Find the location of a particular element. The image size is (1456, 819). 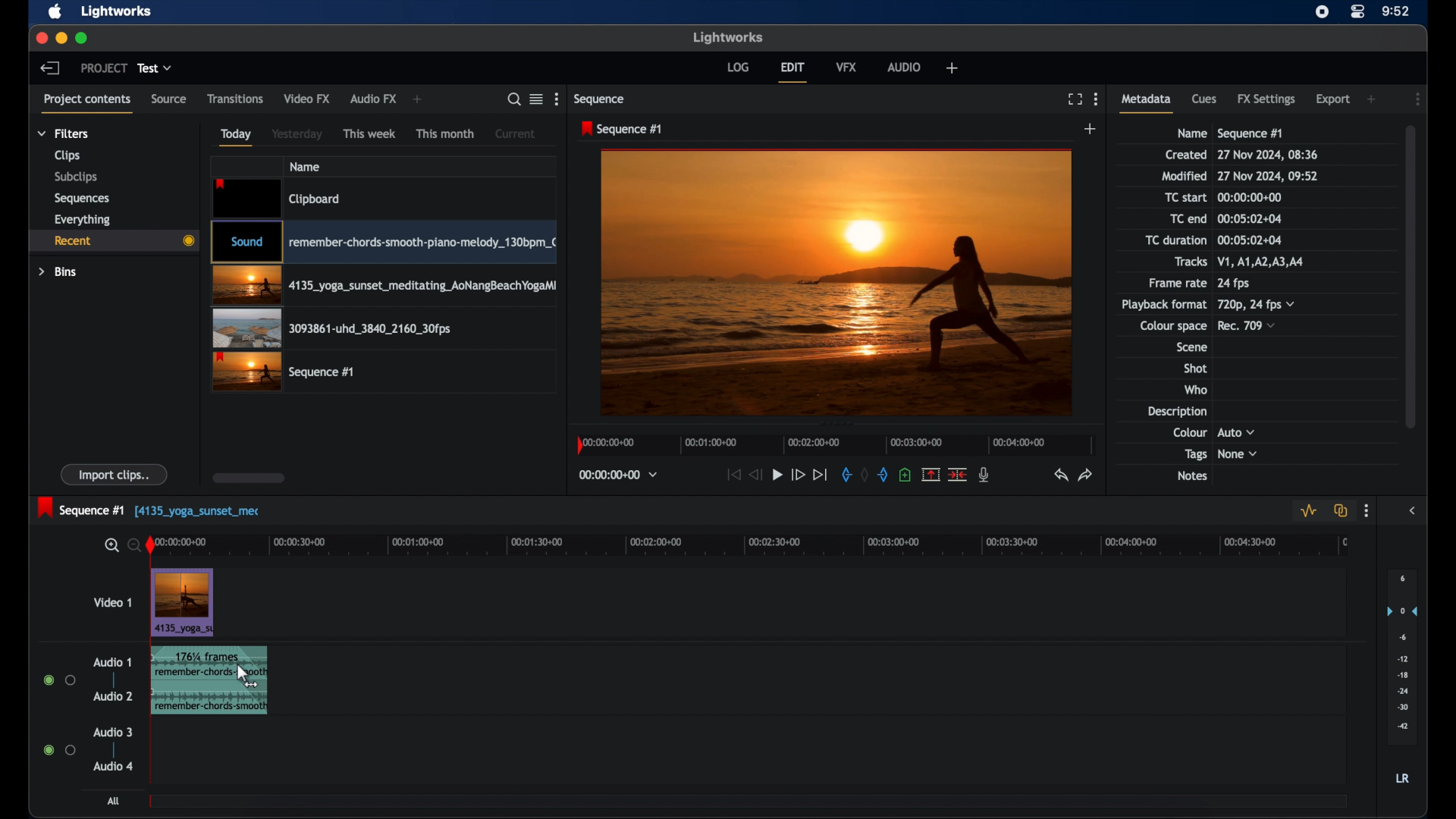

clips is located at coordinates (68, 155).